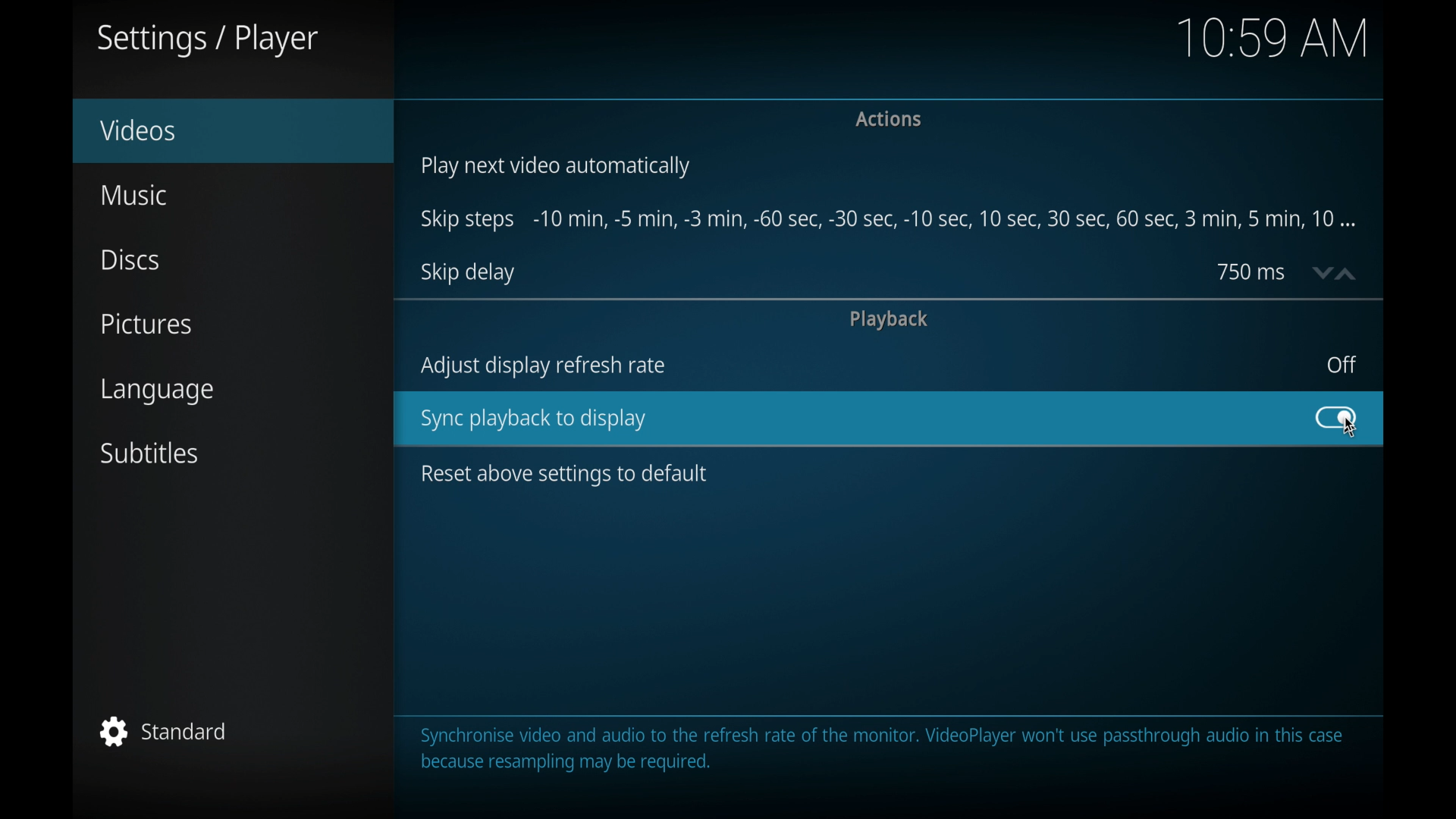 The width and height of the screenshot is (1456, 819). I want to click on standard, so click(162, 730).